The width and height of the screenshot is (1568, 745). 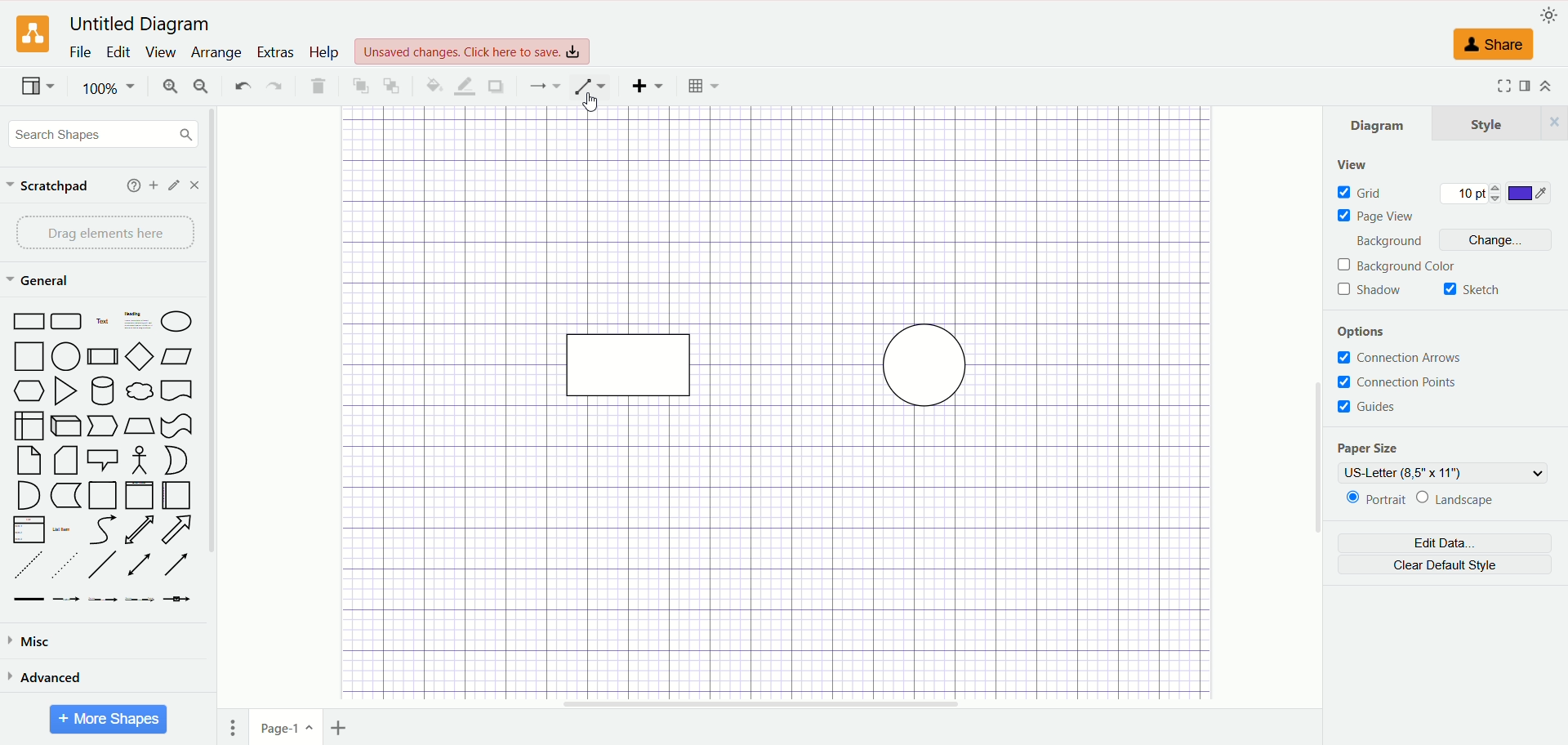 What do you see at coordinates (216, 53) in the screenshot?
I see `arrange` at bounding box center [216, 53].